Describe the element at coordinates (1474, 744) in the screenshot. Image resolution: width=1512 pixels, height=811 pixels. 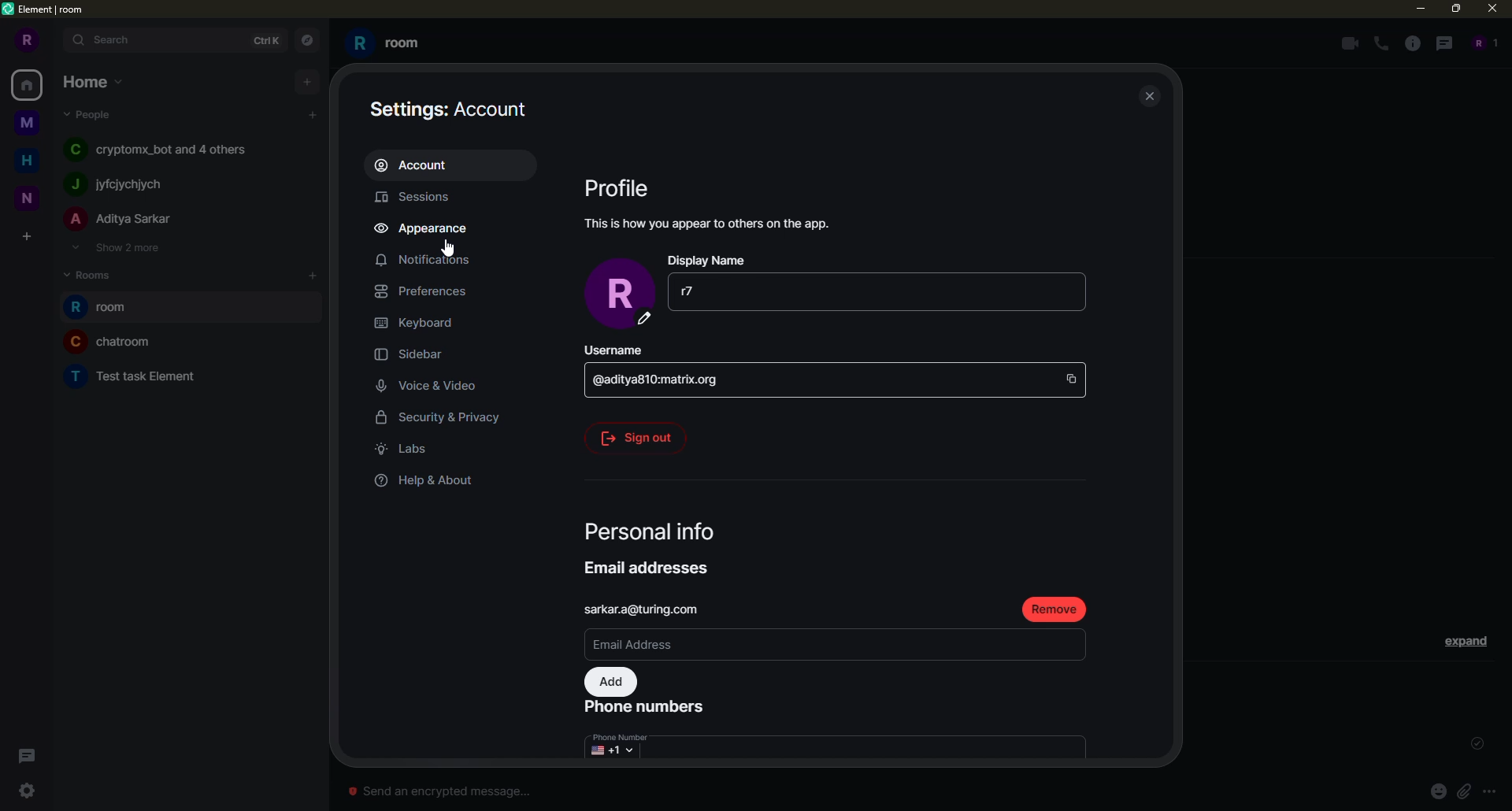
I see `sent` at that location.